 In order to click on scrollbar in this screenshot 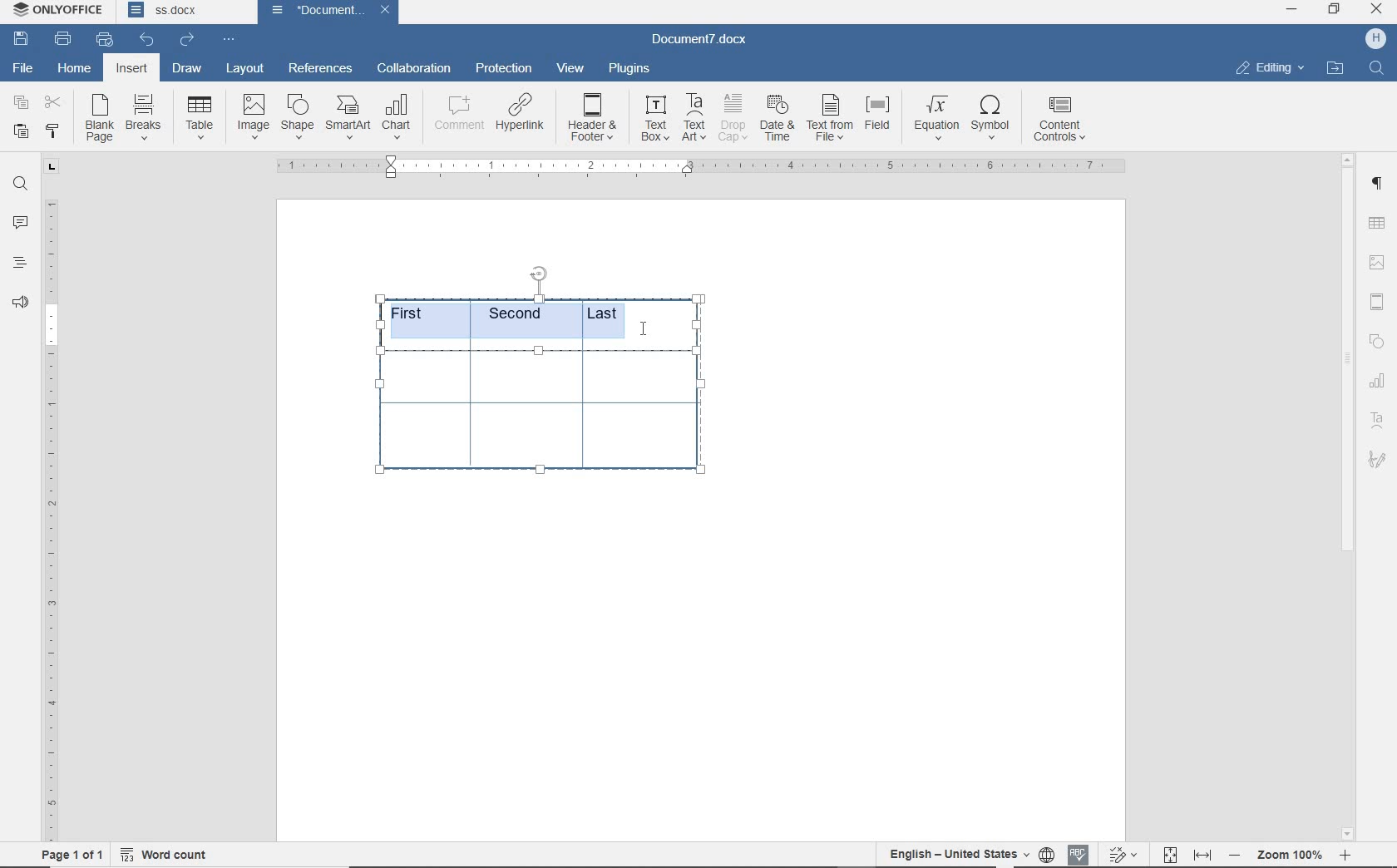, I will do `click(1348, 496)`.